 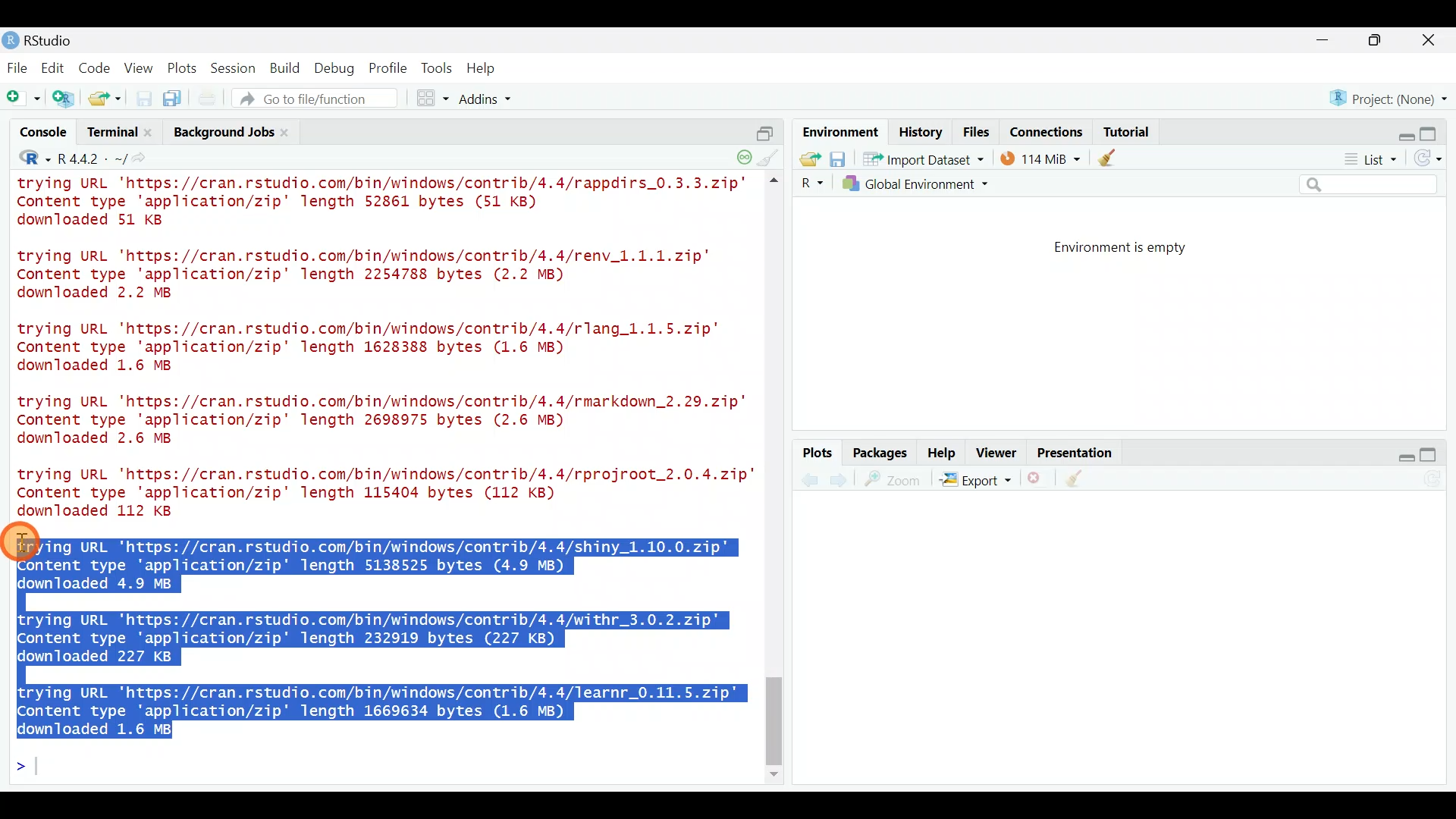 I want to click on Terminal, so click(x=111, y=134).